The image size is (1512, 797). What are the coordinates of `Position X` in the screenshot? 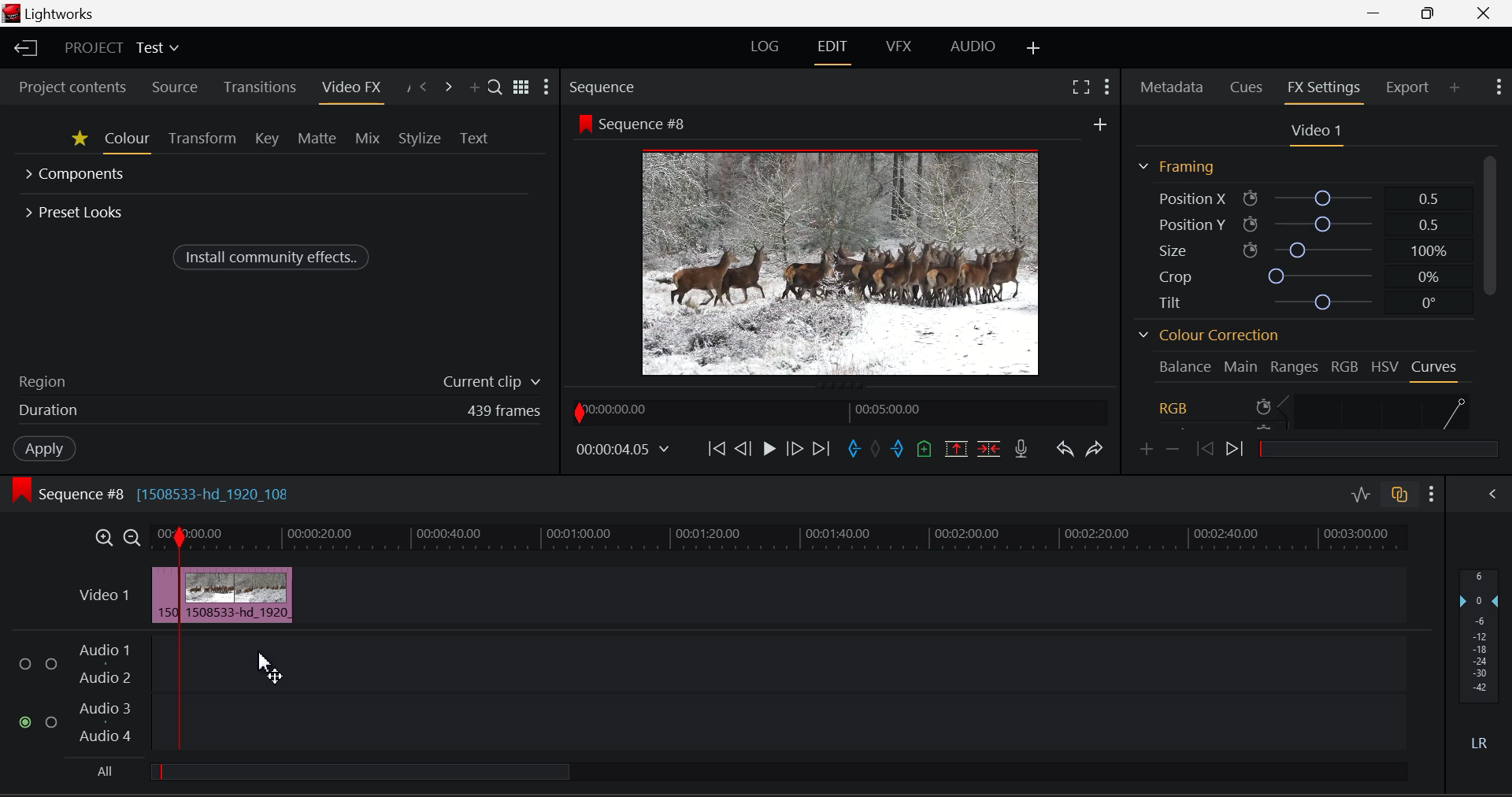 It's located at (1296, 198).